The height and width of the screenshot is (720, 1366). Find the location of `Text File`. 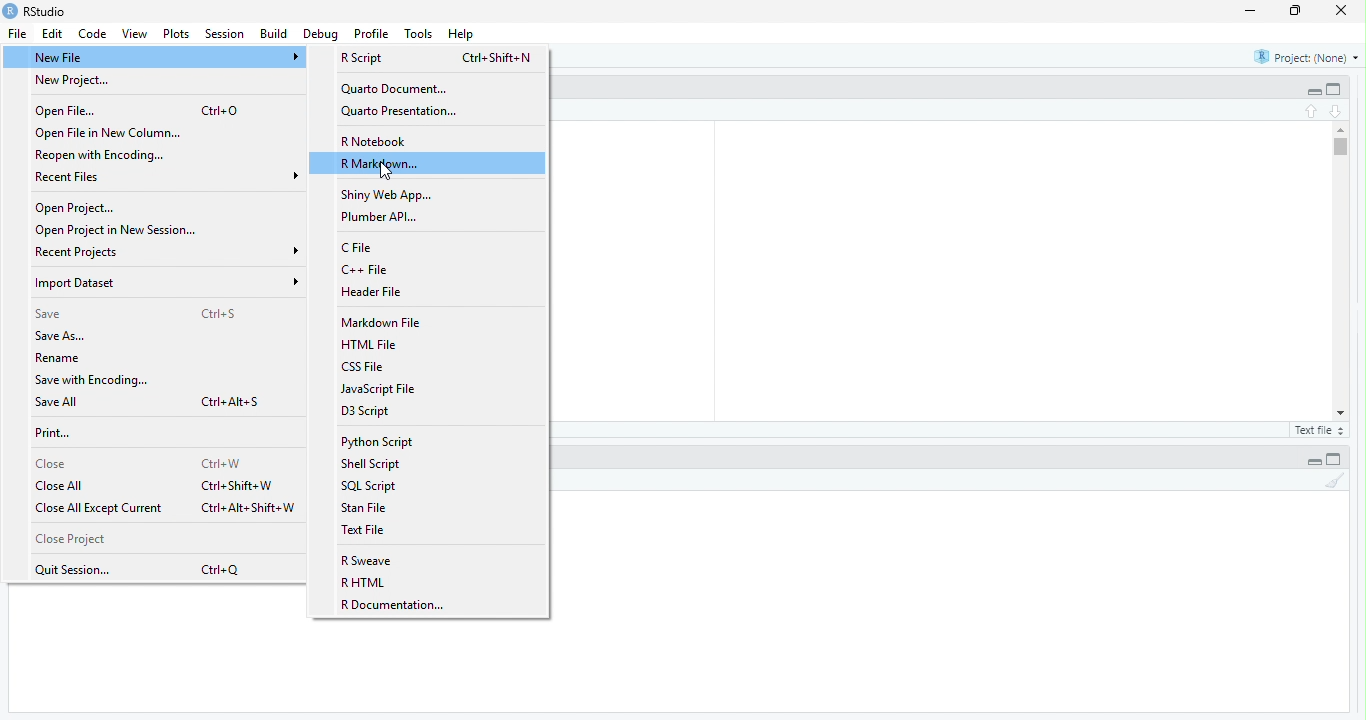

Text File is located at coordinates (367, 530).